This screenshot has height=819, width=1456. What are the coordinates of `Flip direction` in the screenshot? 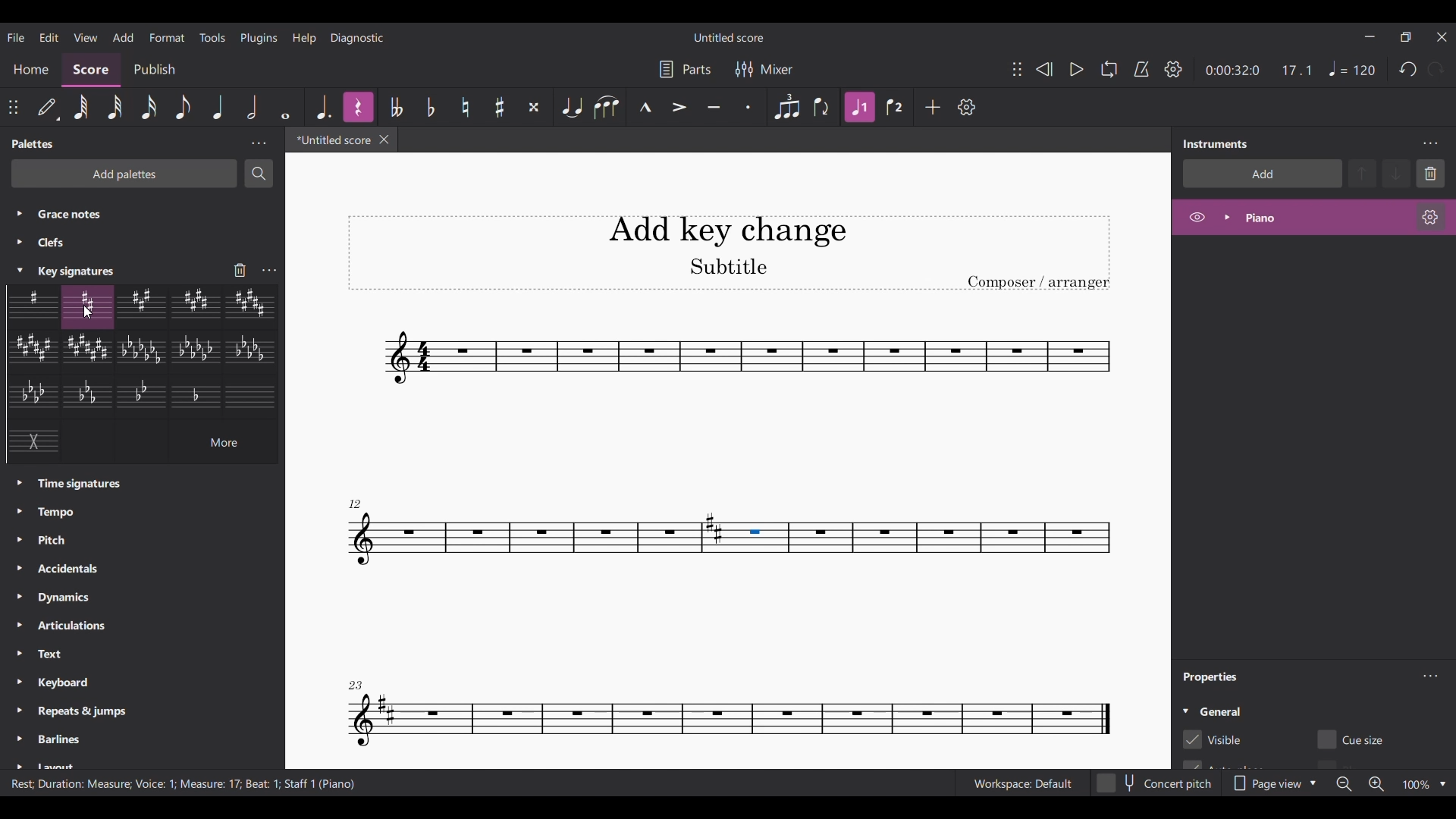 It's located at (821, 106).